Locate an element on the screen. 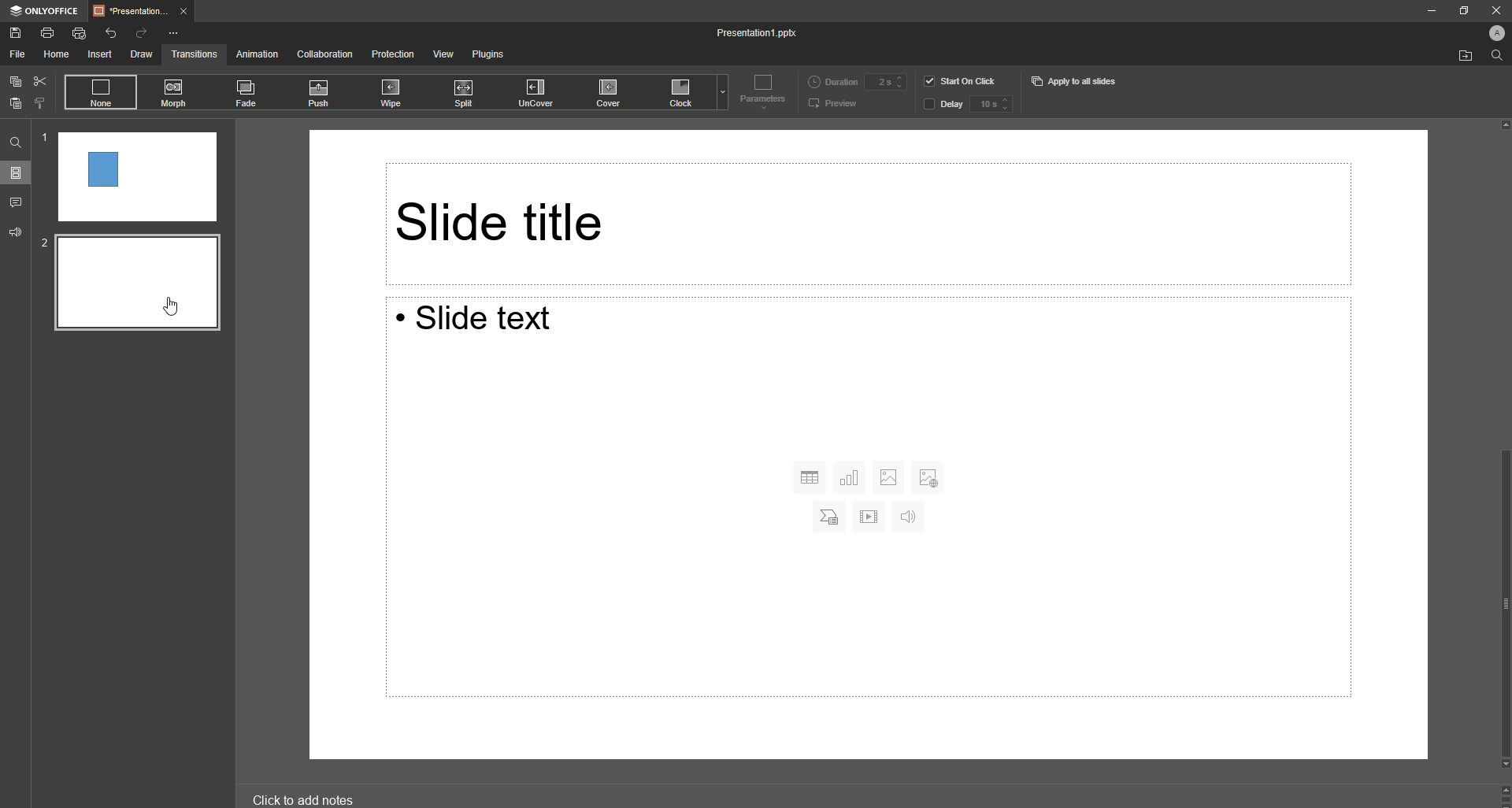 This screenshot has width=1512, height=808. Char is located at coordinates (830, 517).